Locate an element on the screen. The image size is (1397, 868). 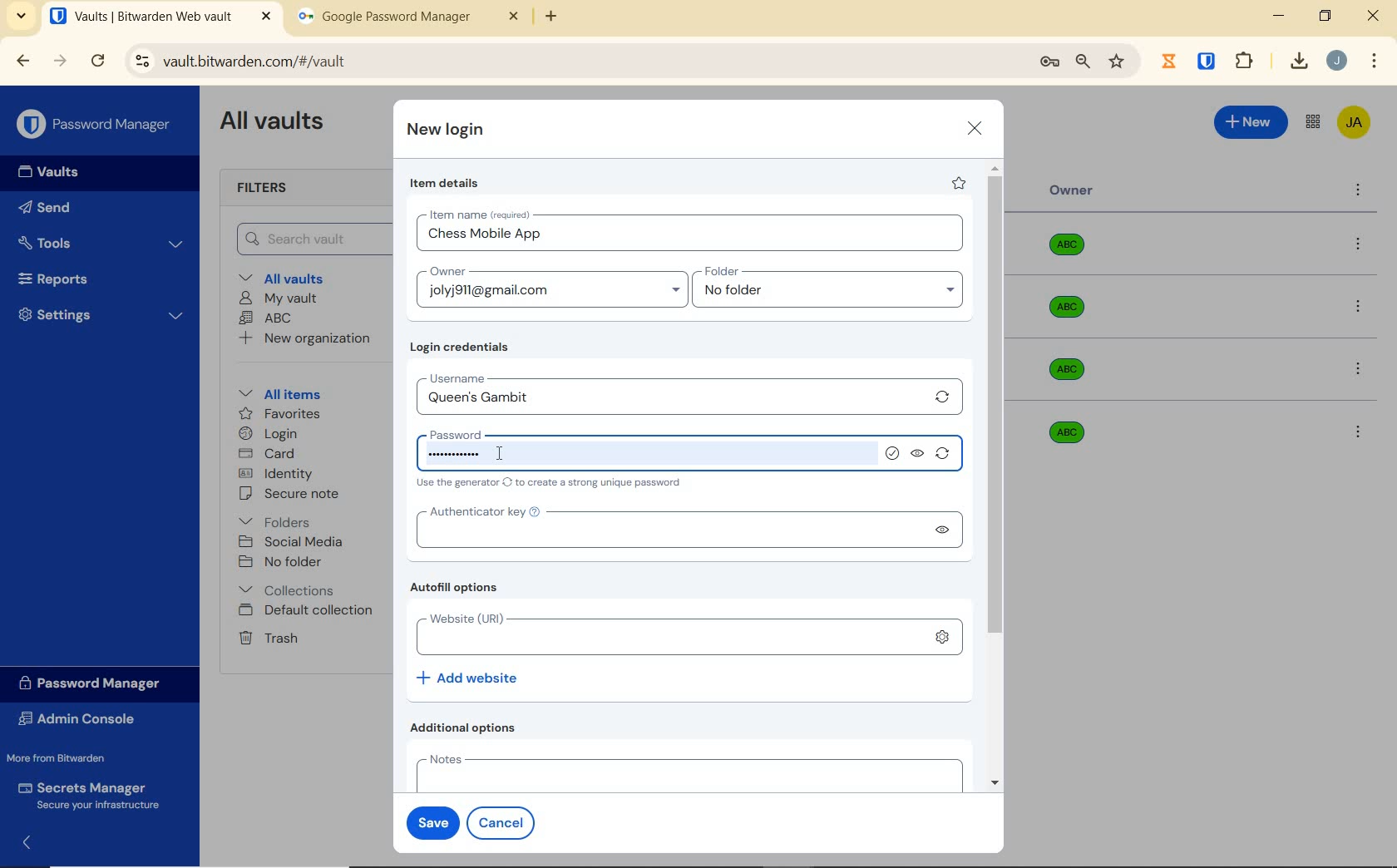
All vaults is located at coordinates (288, 277).